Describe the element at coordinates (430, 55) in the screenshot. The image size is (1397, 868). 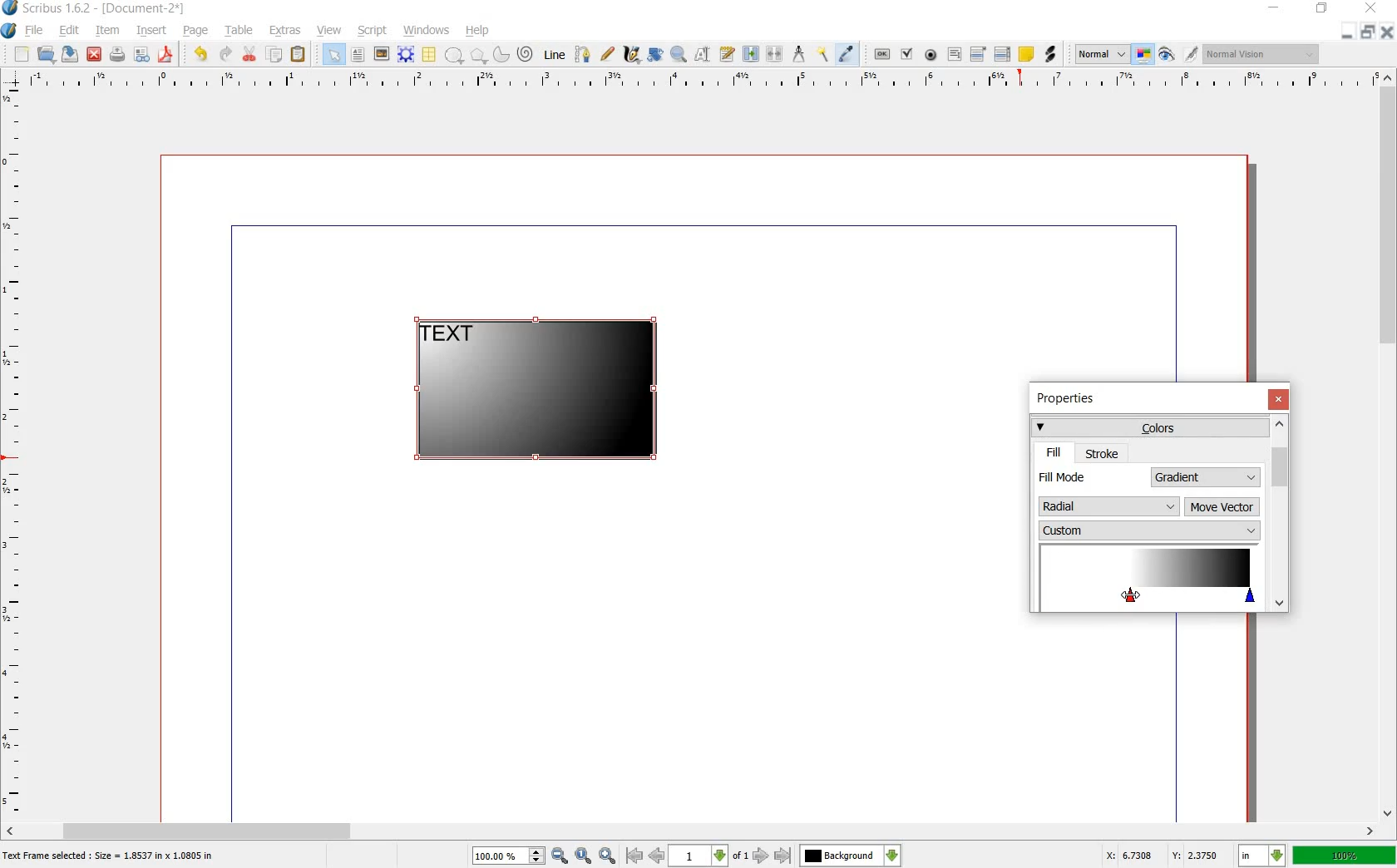
I see `table` at that location.